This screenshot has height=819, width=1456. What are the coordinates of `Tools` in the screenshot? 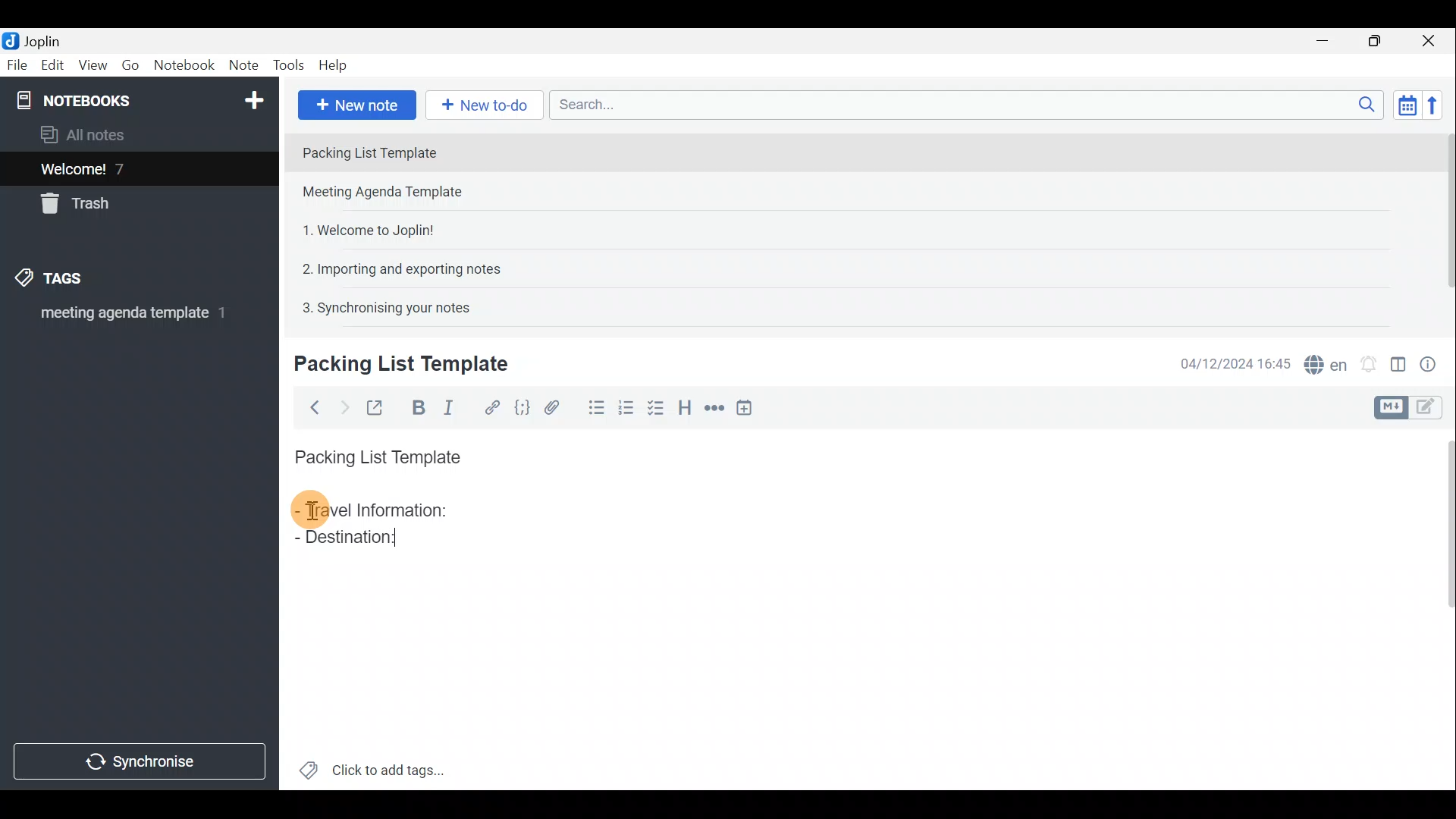 It's located at (290, 66).